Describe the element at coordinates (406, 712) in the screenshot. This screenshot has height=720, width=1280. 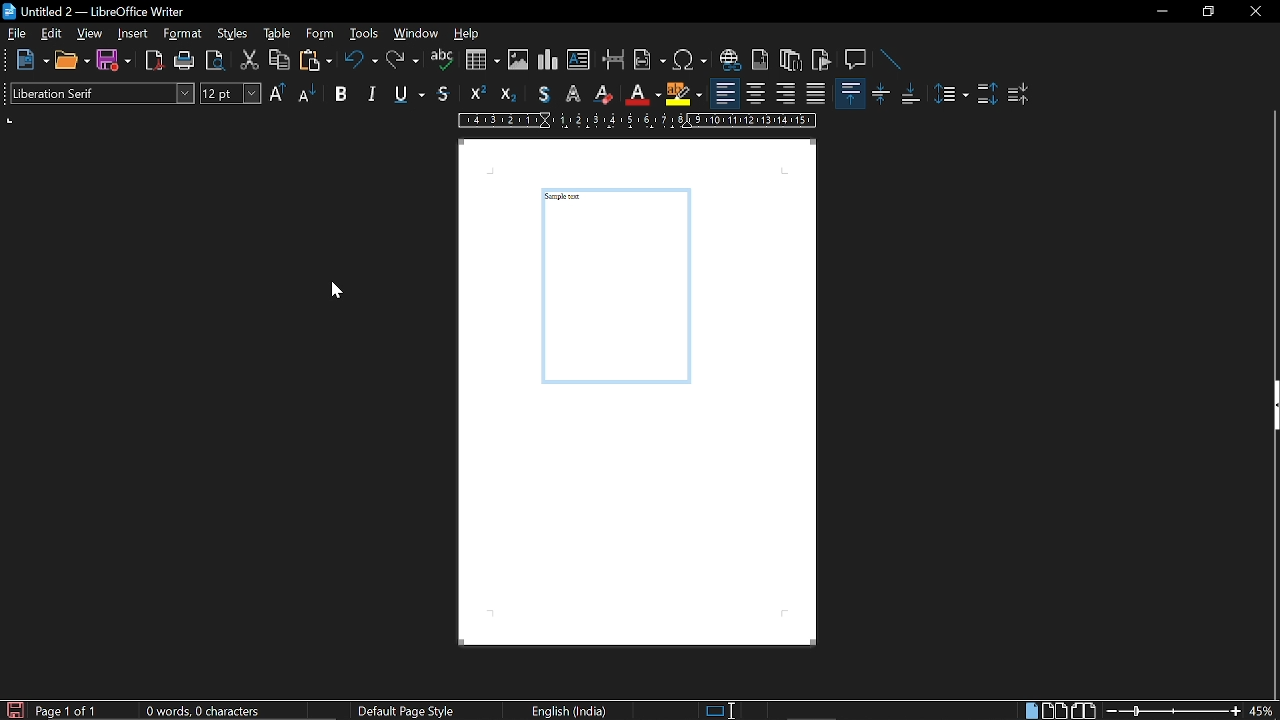
I see `Default: page style` at that location.